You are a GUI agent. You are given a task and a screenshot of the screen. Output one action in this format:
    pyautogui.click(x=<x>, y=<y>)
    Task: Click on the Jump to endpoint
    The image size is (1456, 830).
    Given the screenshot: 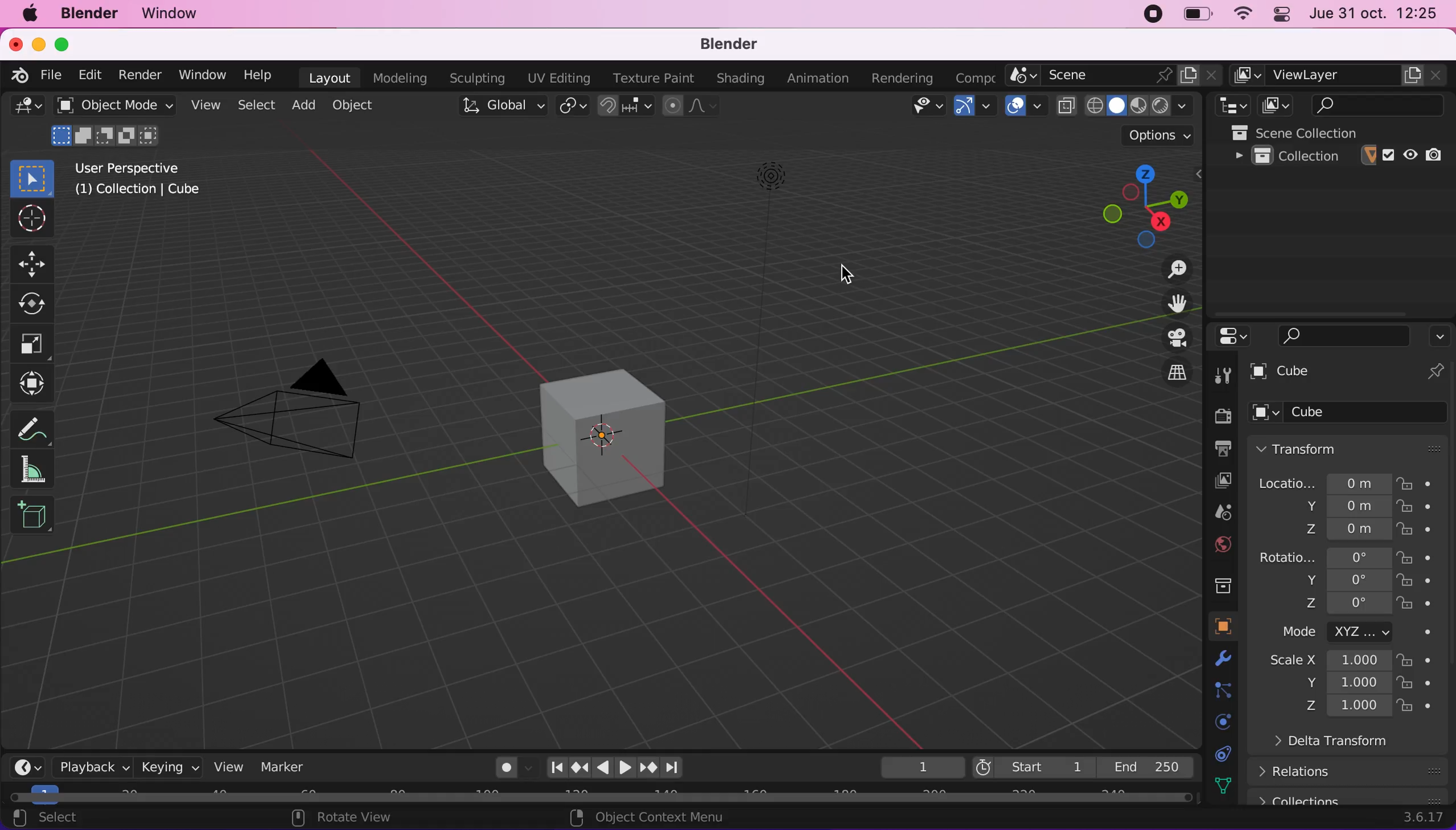 What is the action you would take?
    pyautogui.click(x=676, y=768)
    